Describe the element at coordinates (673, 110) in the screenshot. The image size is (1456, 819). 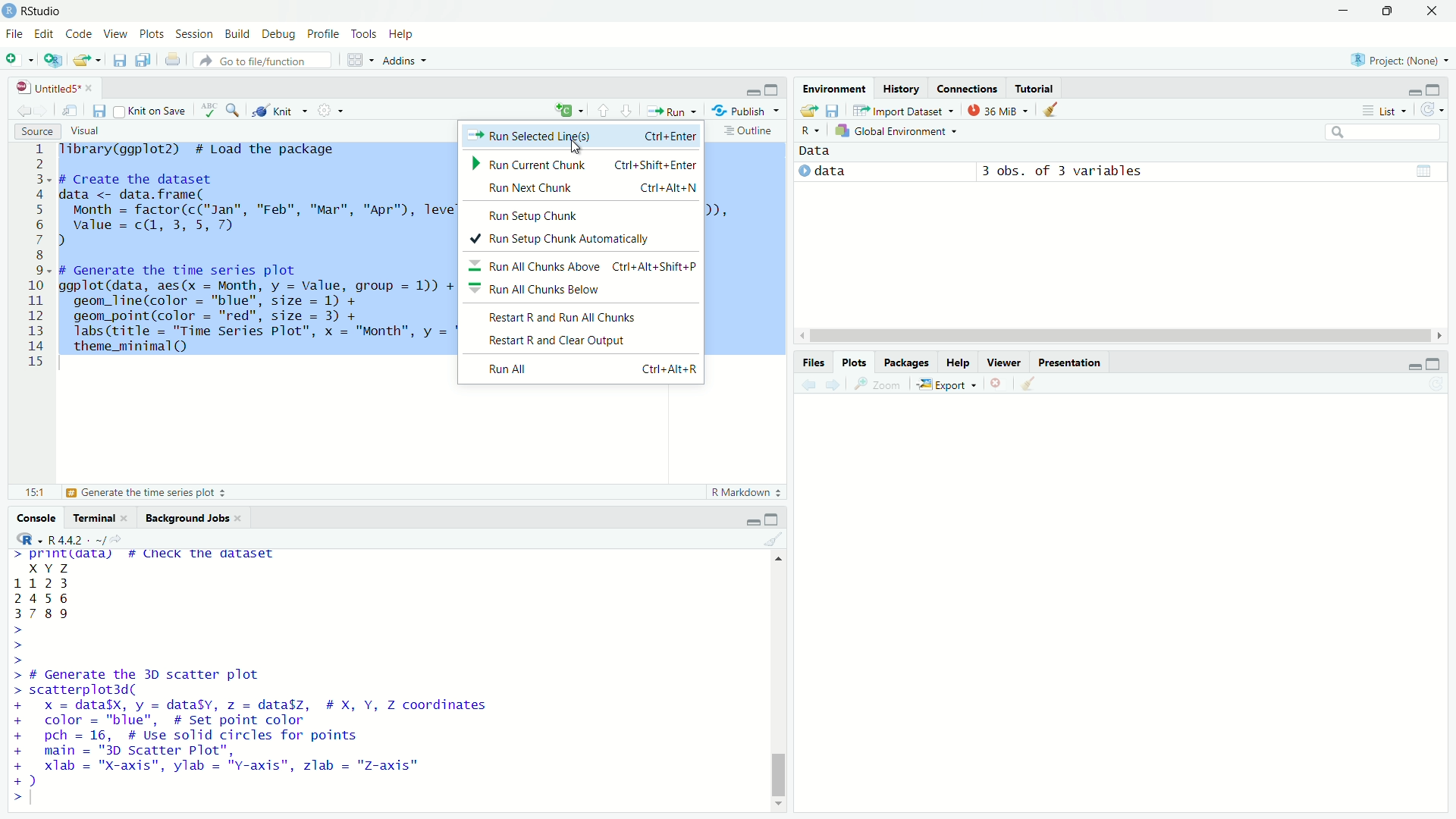
I see `run the current line or selection` at that location.